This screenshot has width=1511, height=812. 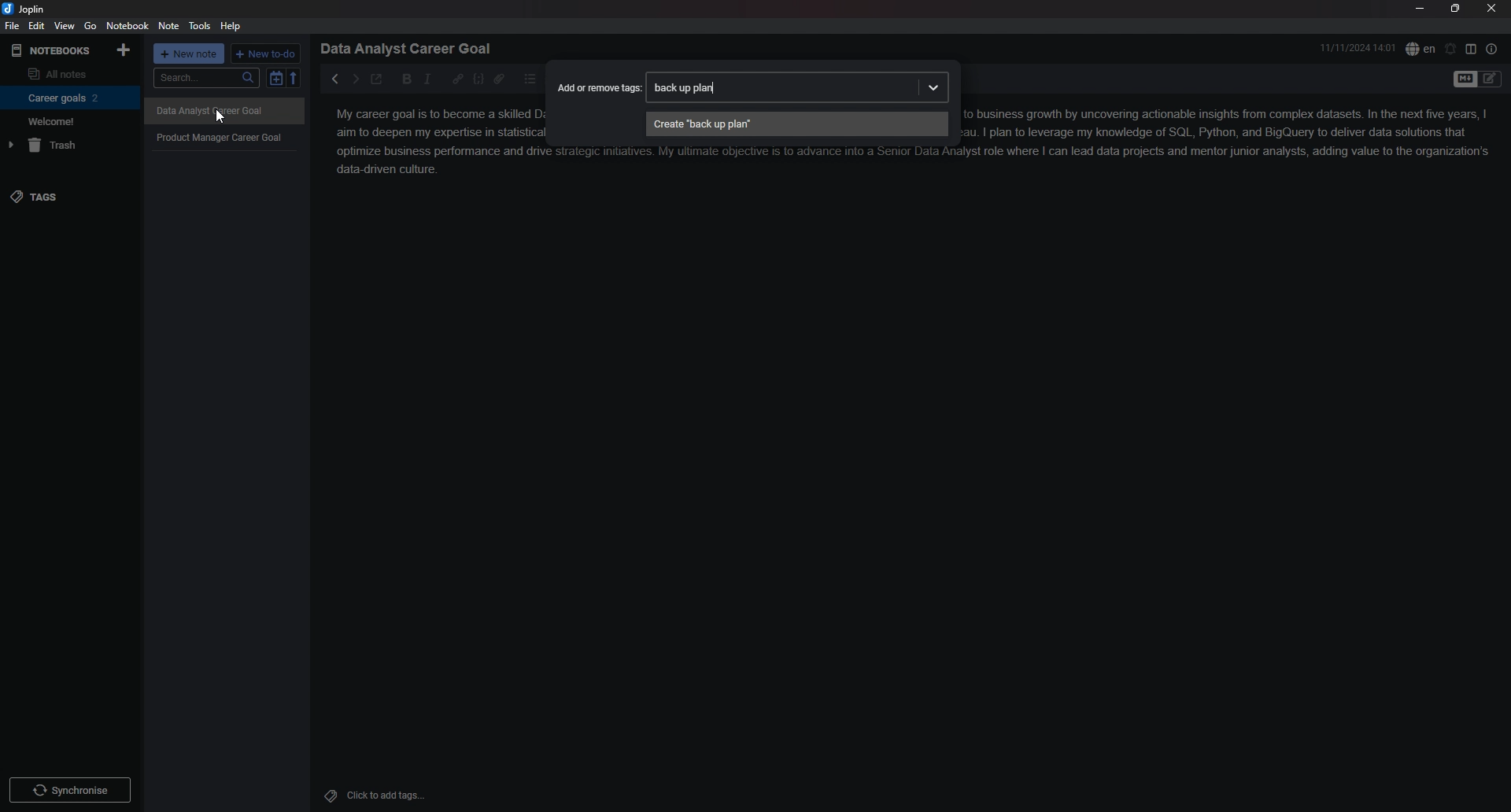 What do you see at coordinates (225, 137) in the screenshot?
I see `Product Manager Career Goal` at bounding box center [225, 137].